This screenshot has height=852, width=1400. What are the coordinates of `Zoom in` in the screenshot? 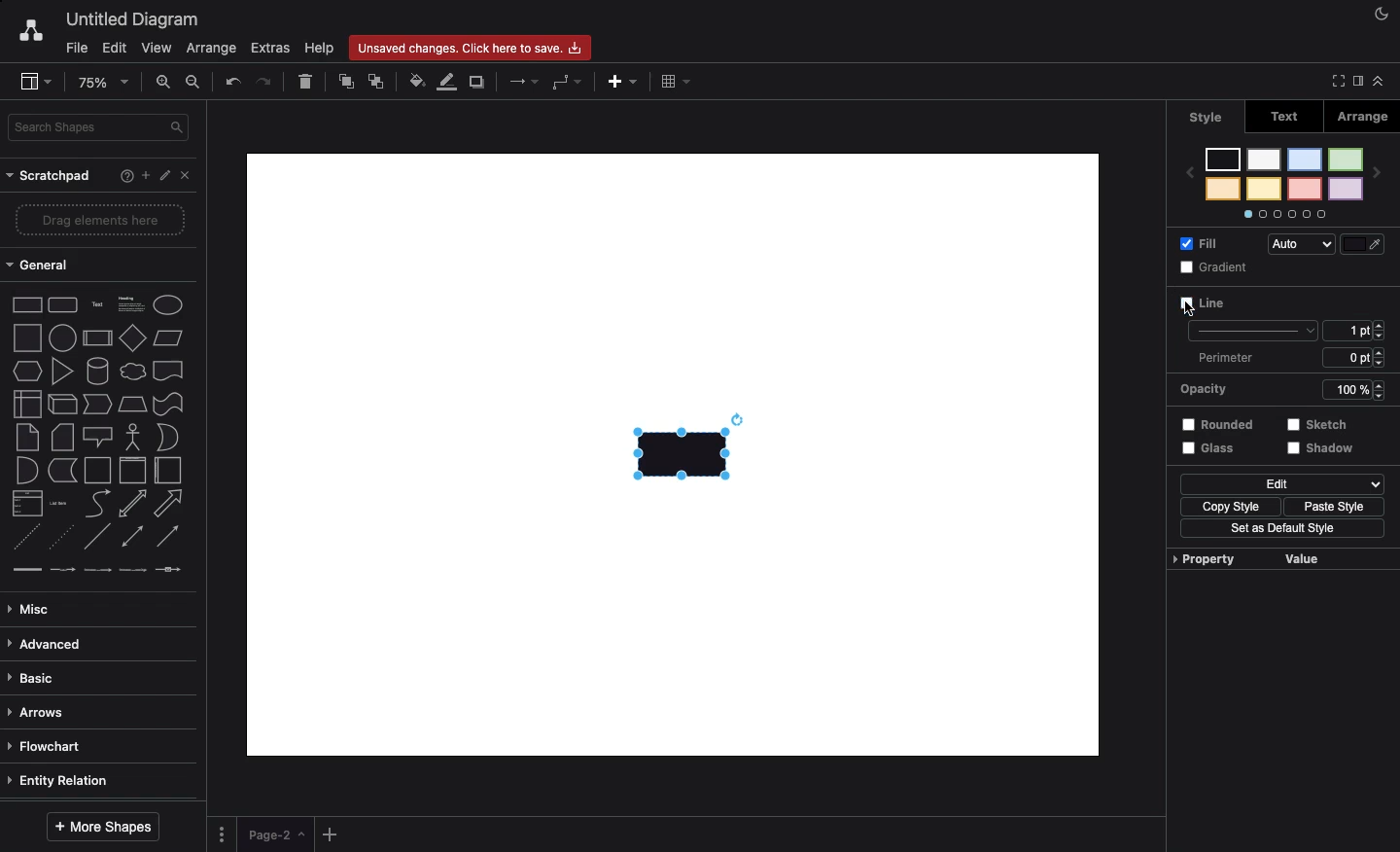 It's located at (164, 85).